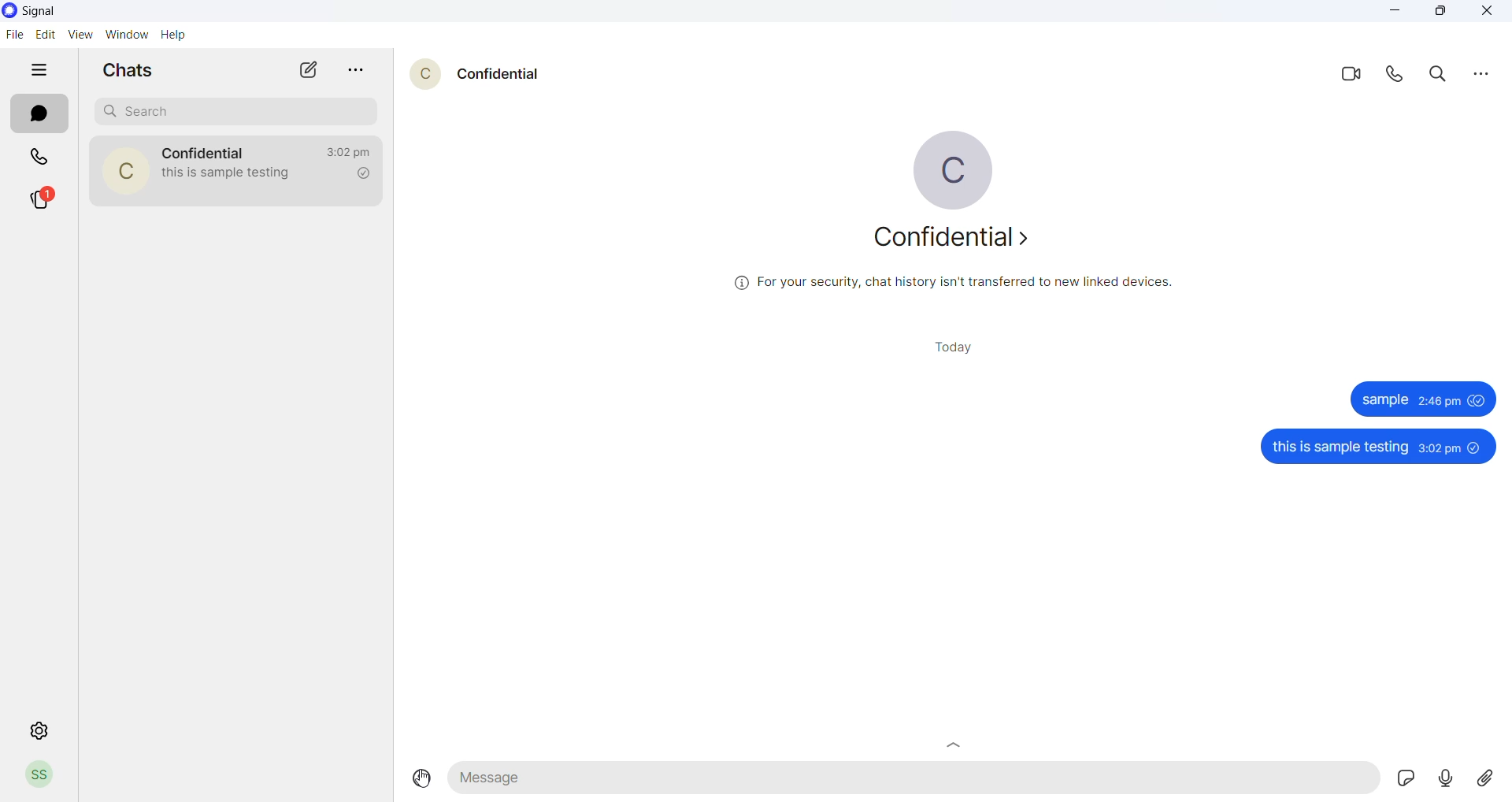 The height and width of the screenshot is (802, 1512). What do you see at coordinates (1482, 777) in the screenshot?
I see `share attachments` at bounding box center [1482, 777].